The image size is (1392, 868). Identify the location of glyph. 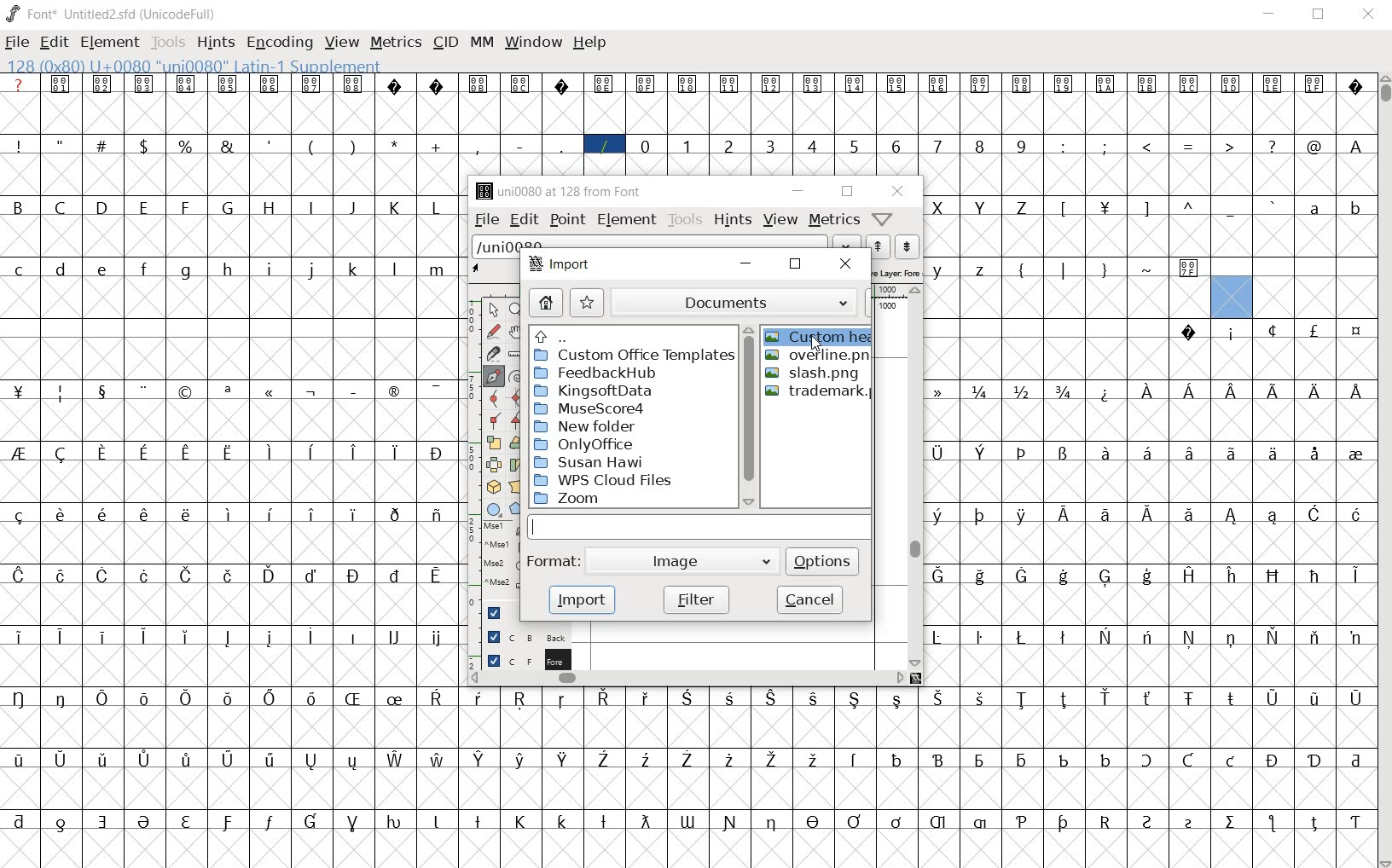
(1314, 330).